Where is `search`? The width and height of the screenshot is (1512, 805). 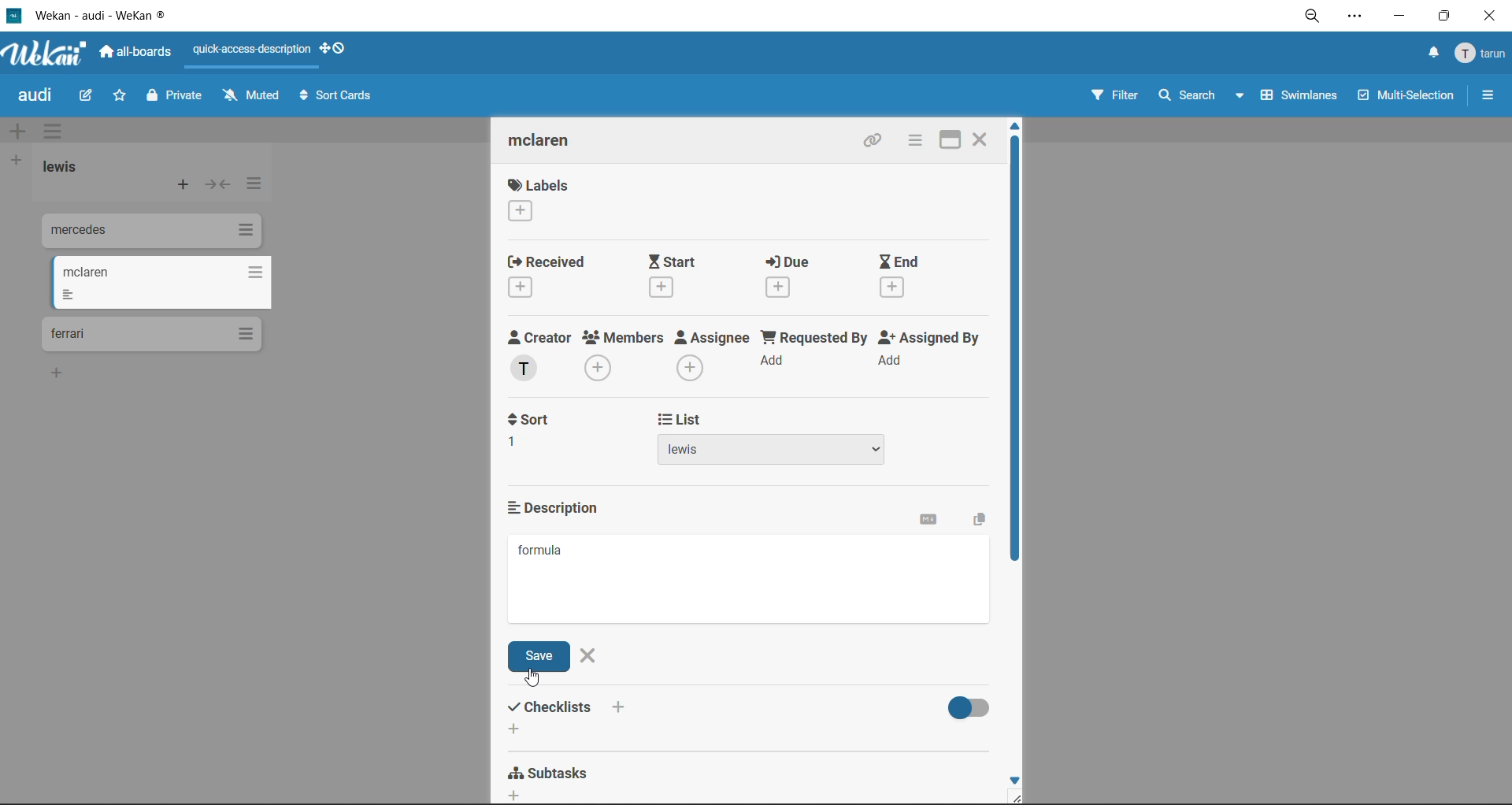 search is located at coordinates (1203, 96).